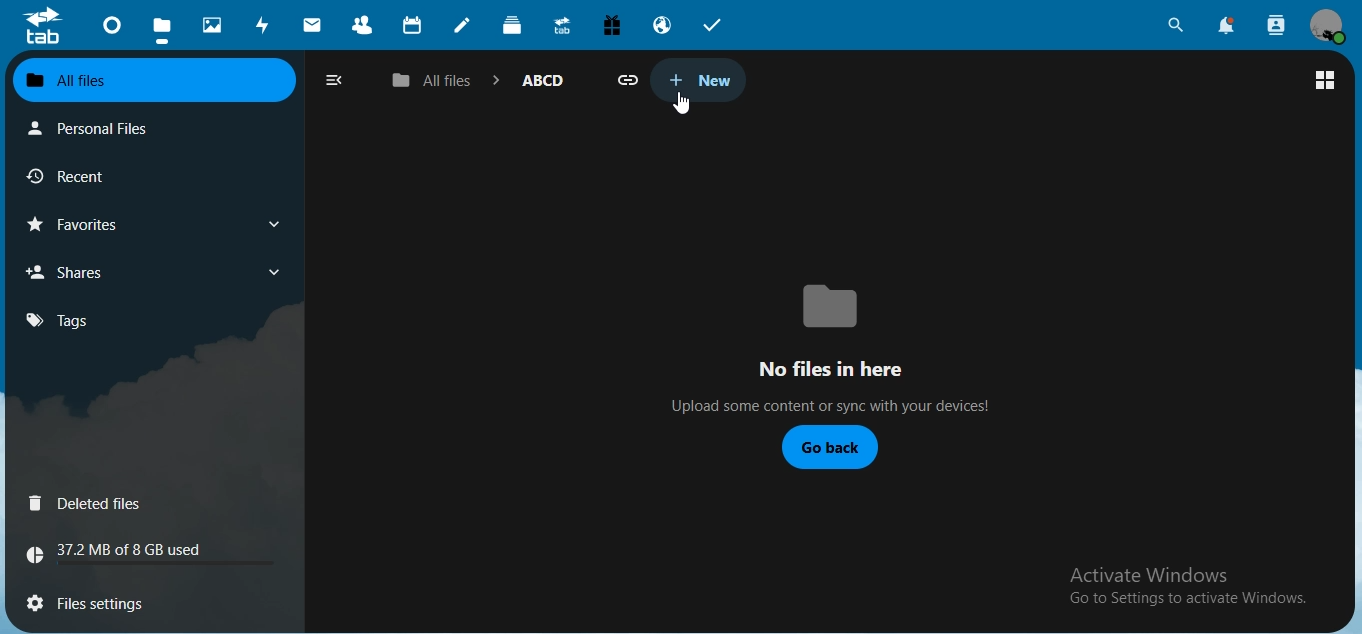  What do you see at coordinates (265, 27) in the screenshot?
I see `activity` at bounding box center [265, 27].